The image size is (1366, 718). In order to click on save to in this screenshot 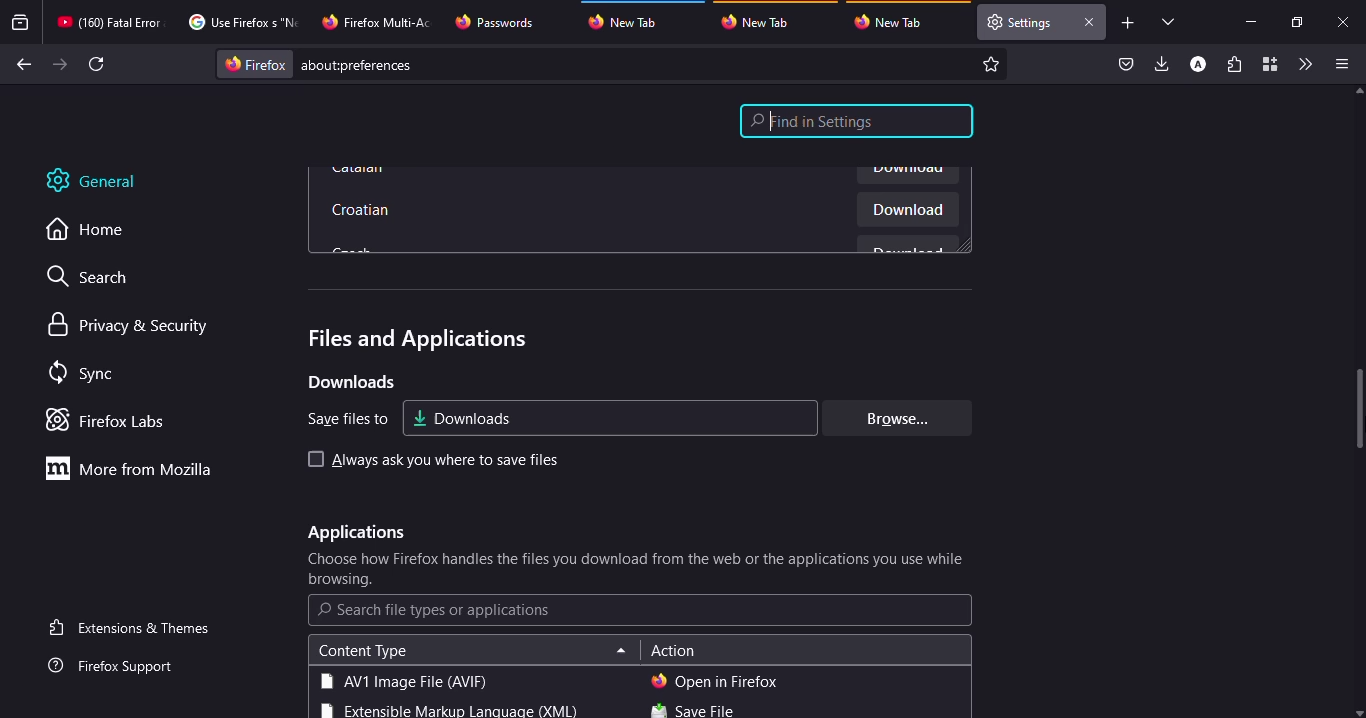, I will do `click(340, 418)`.